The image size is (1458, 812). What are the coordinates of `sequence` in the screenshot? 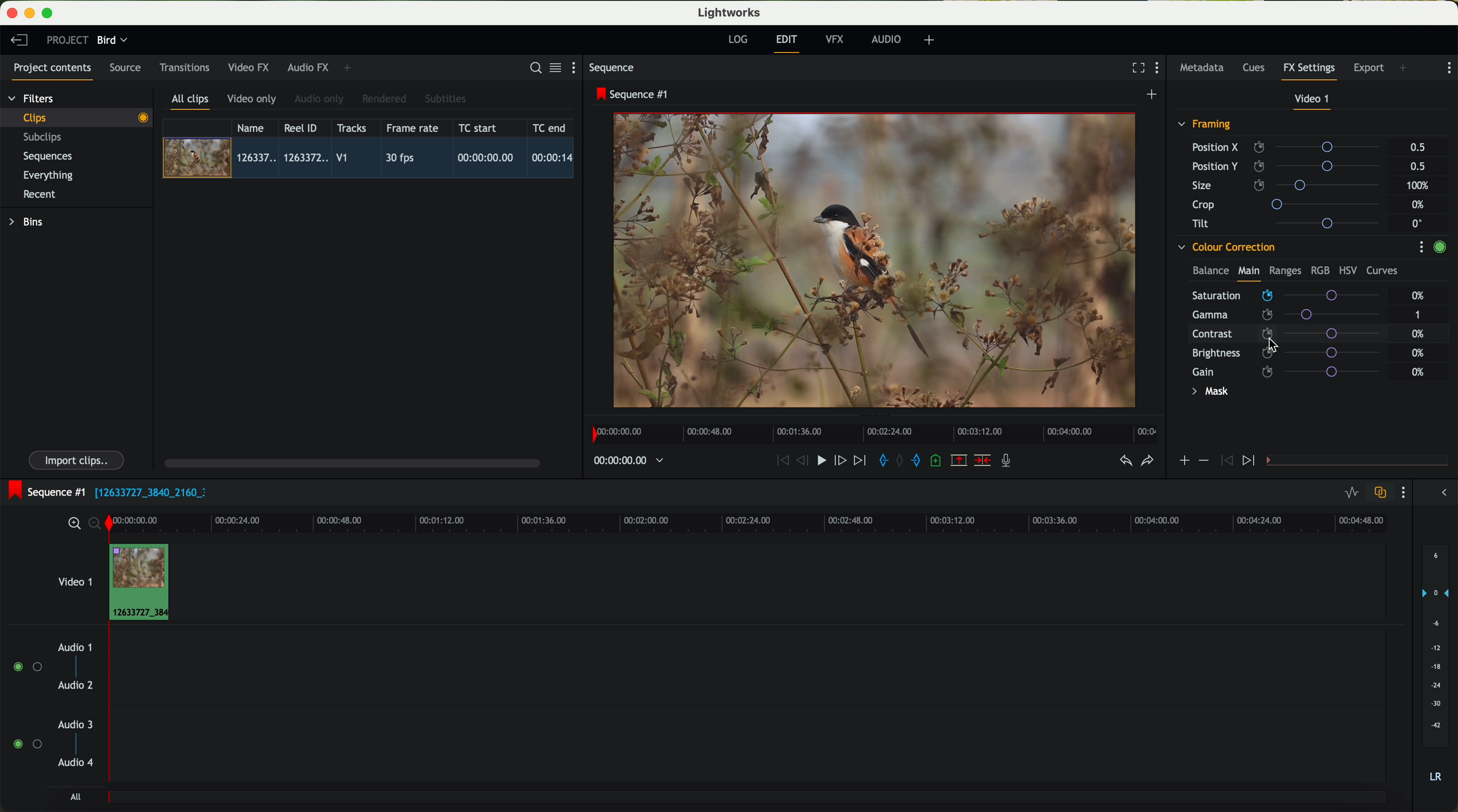 It's located at (612, 68).